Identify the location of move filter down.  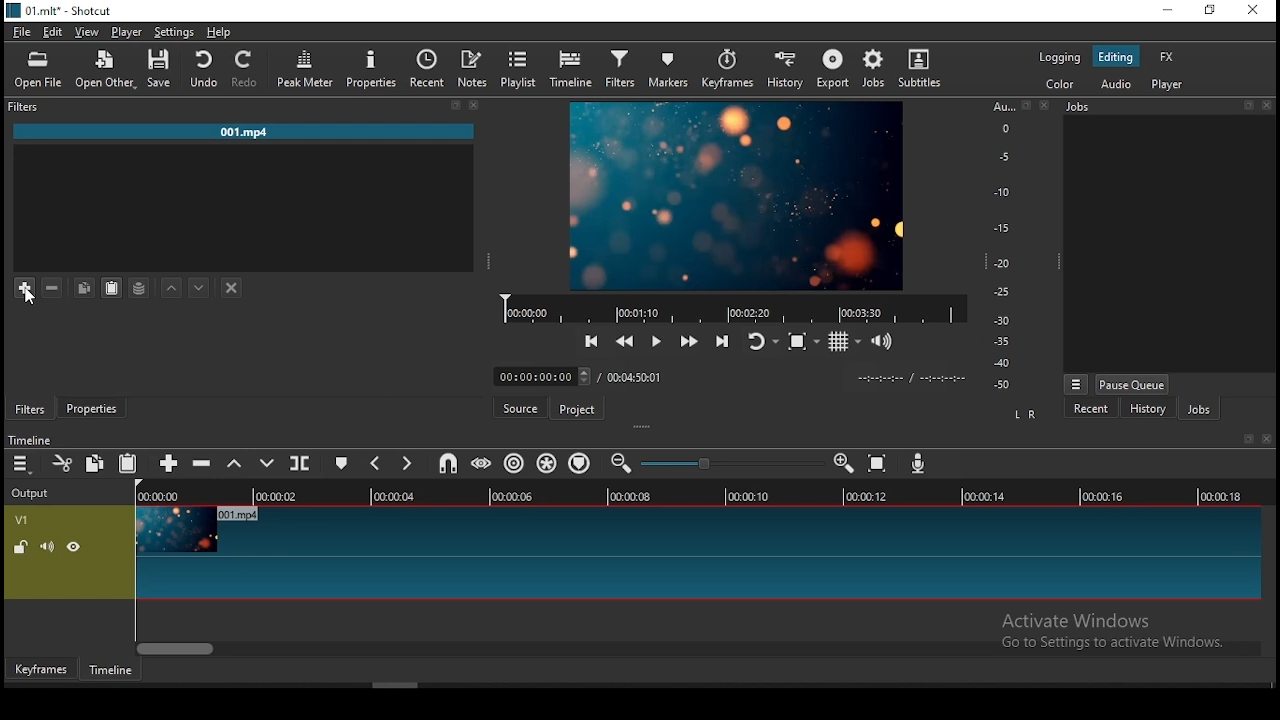
(200, 288).